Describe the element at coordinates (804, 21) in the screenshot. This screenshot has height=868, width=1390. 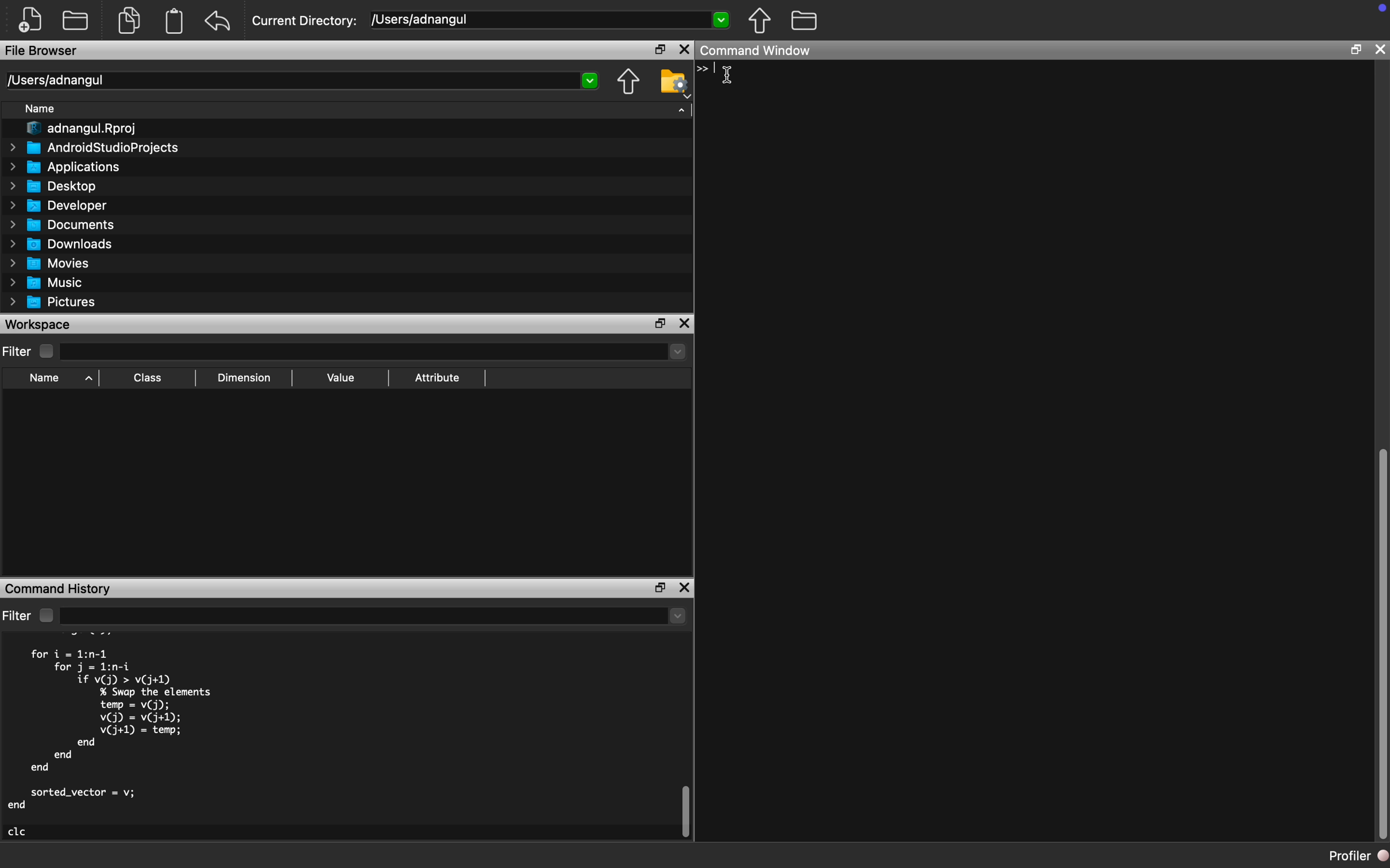
I see `Folder` at that location.